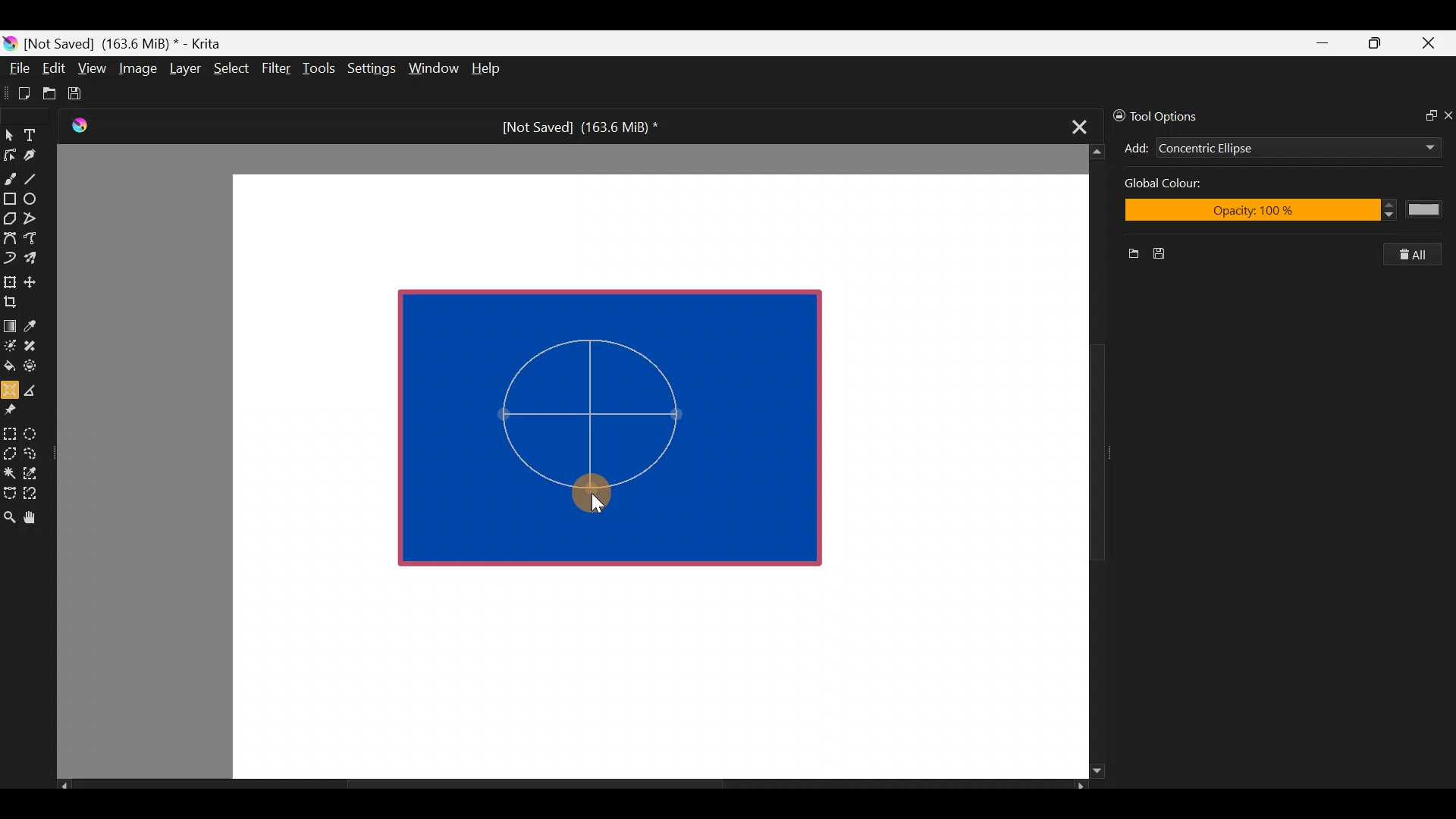  What do you see at coordinates (1253, 149) in the screenshot?
I see `Concentric Ellipse` at bounding box center [1253, 149].